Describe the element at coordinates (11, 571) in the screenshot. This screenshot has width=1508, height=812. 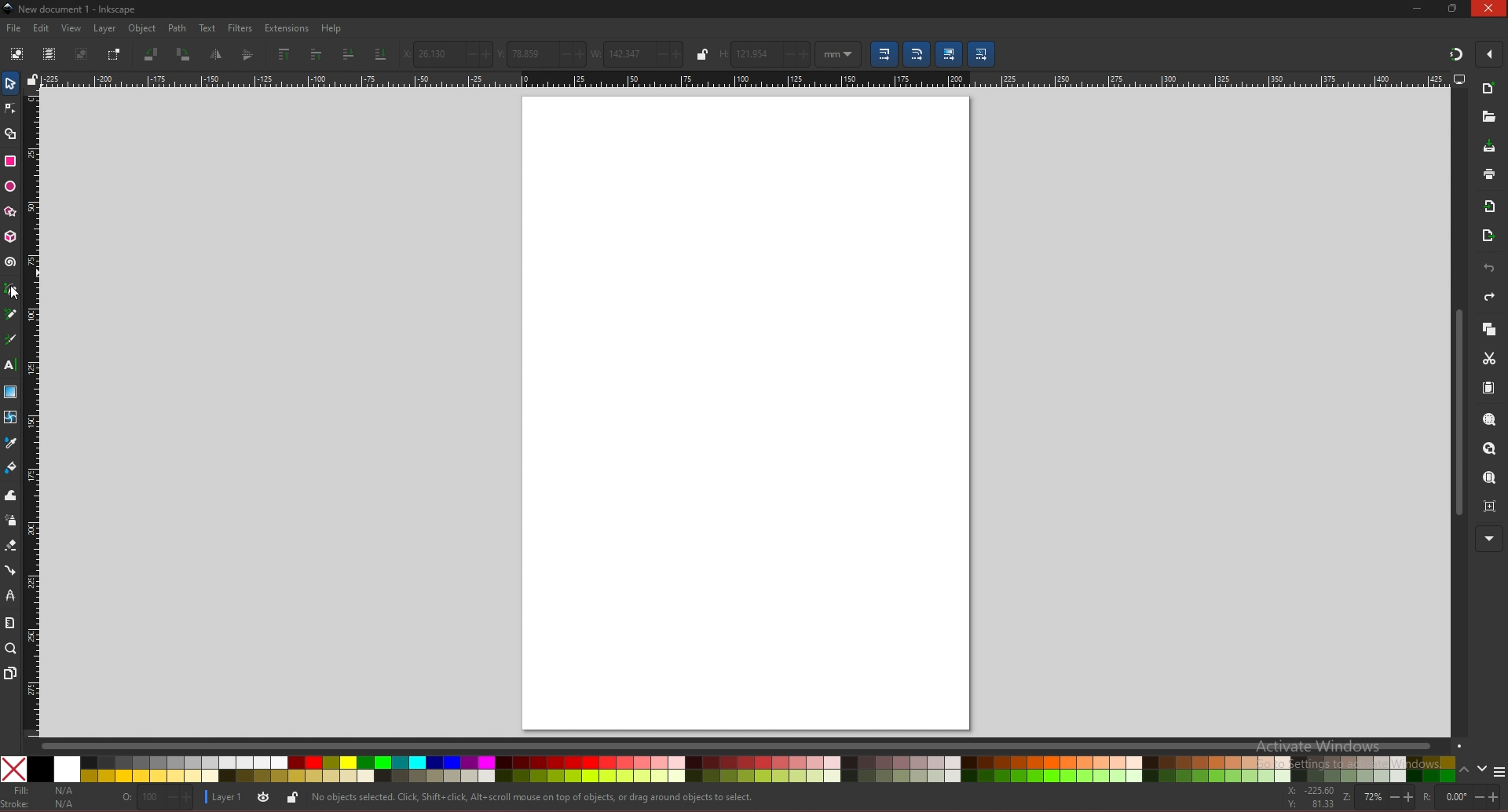
I see `connector` at that location.